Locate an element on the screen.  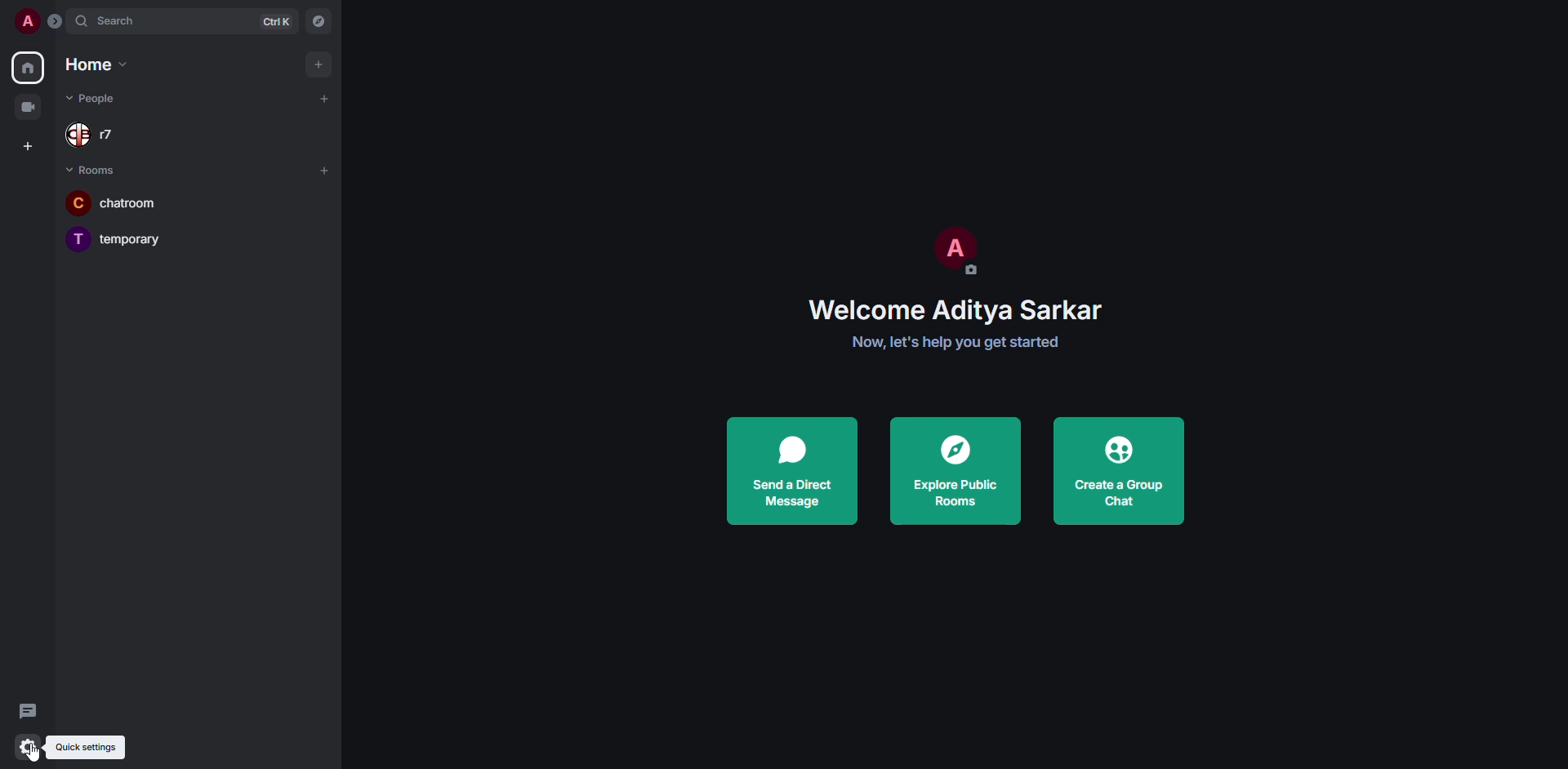
ctrl K is located at coordinates (278, 21).